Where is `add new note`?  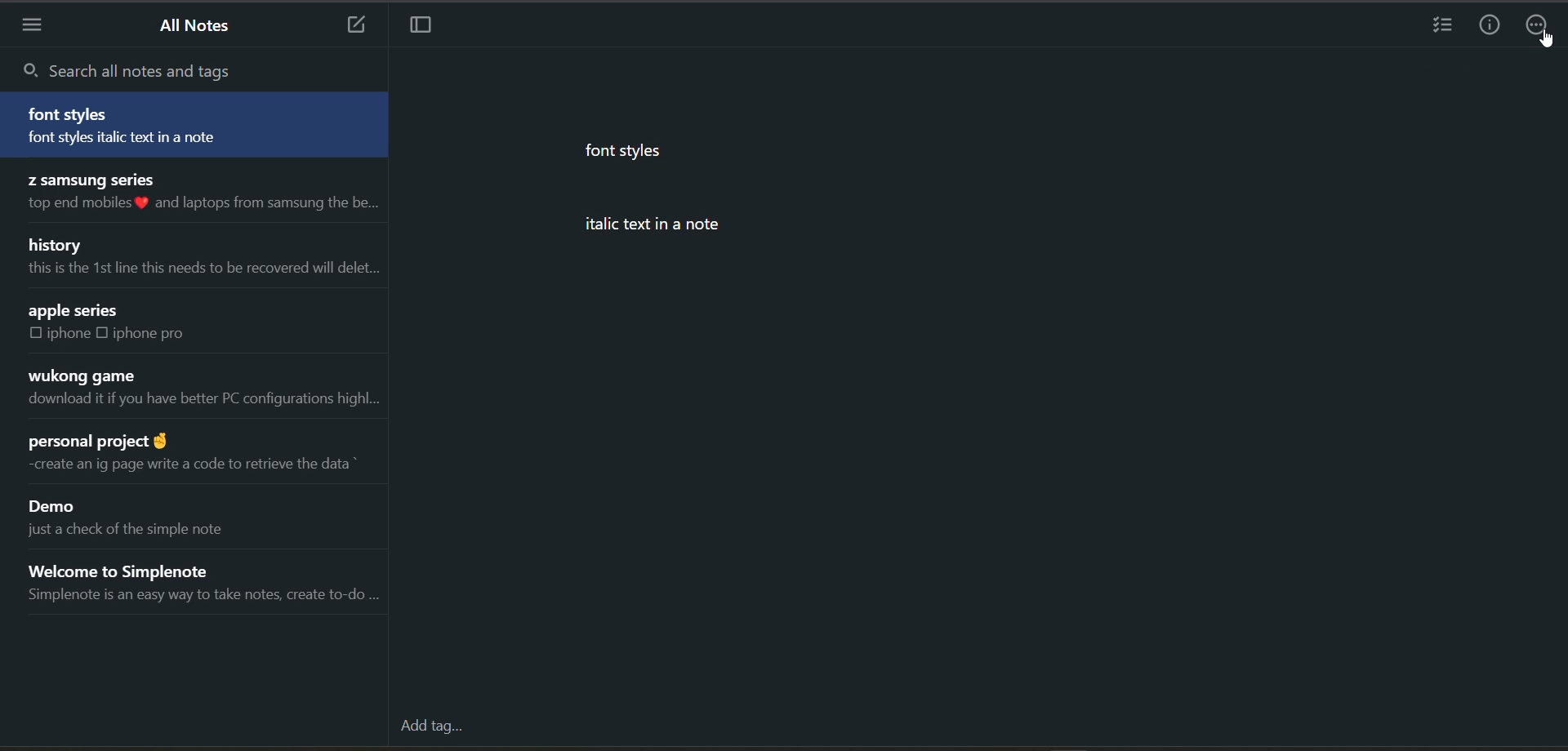 add new note is located at coordinates (354, 26).